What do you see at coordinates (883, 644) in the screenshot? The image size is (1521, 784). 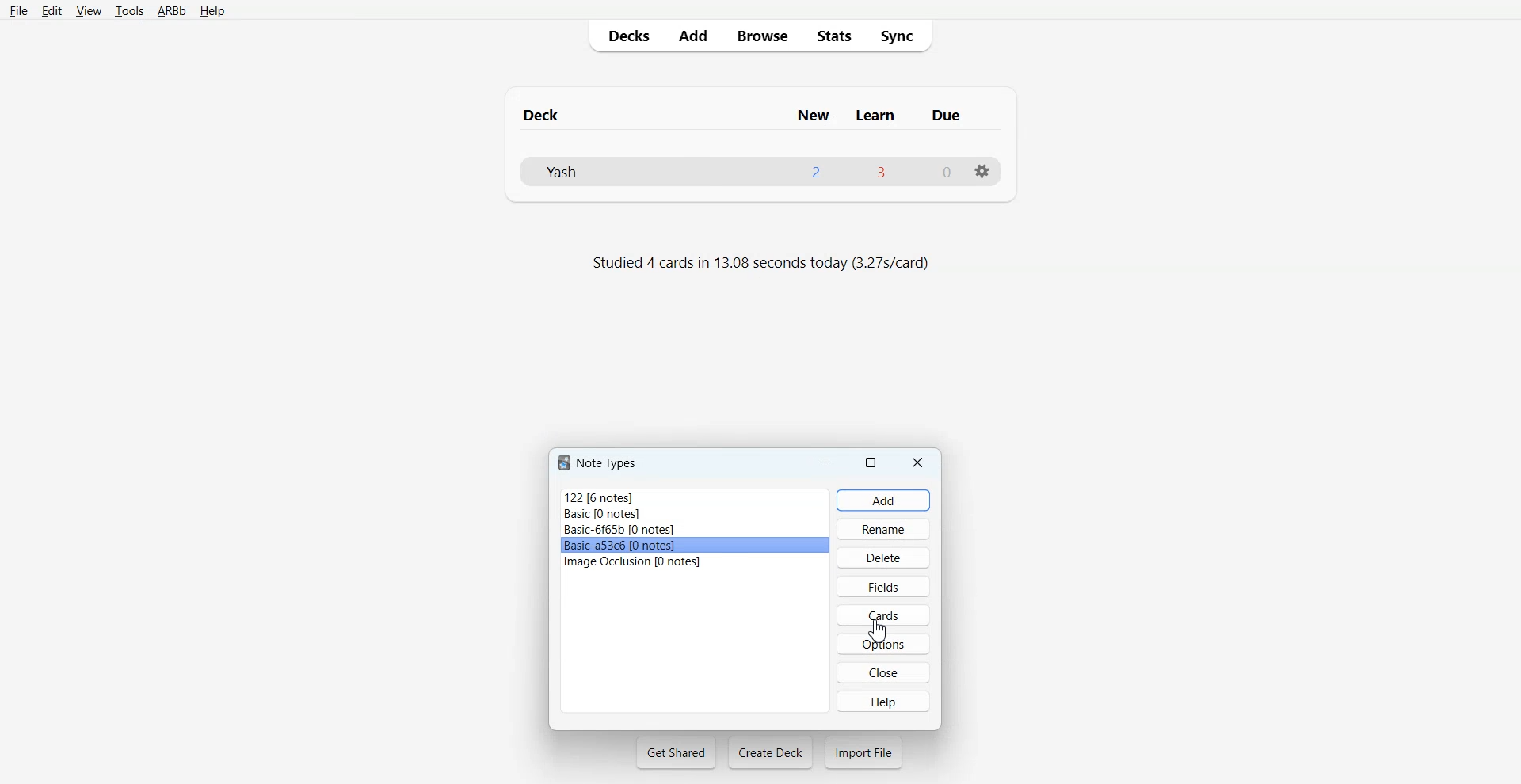 I see `Options` at bounding box center [883, 644].